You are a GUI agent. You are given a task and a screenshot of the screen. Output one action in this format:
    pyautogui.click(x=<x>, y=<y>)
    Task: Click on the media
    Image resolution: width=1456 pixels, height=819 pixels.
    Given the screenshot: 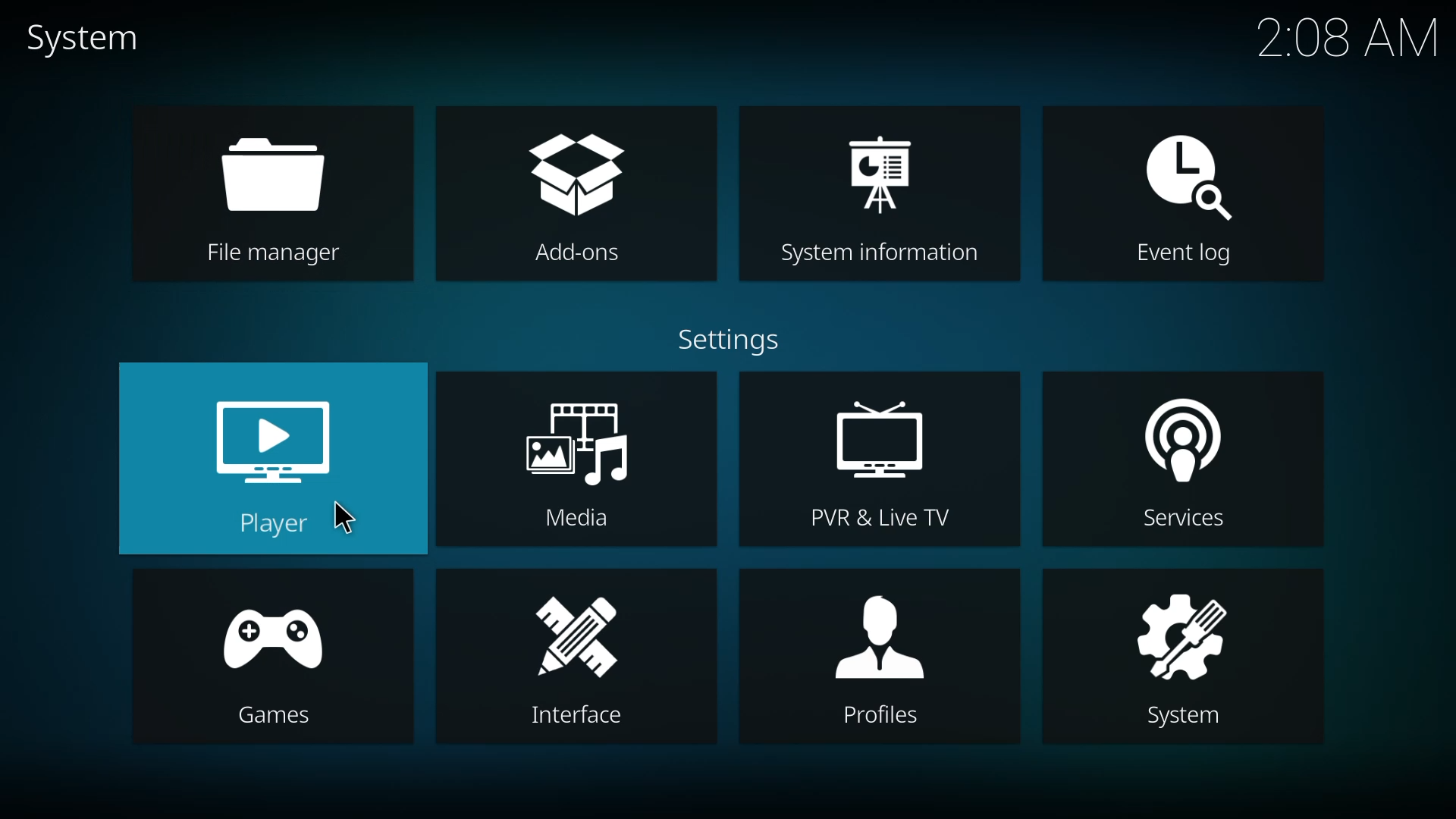 What is the action you would take?
    pyautogui.click(x=579, y=463)
    